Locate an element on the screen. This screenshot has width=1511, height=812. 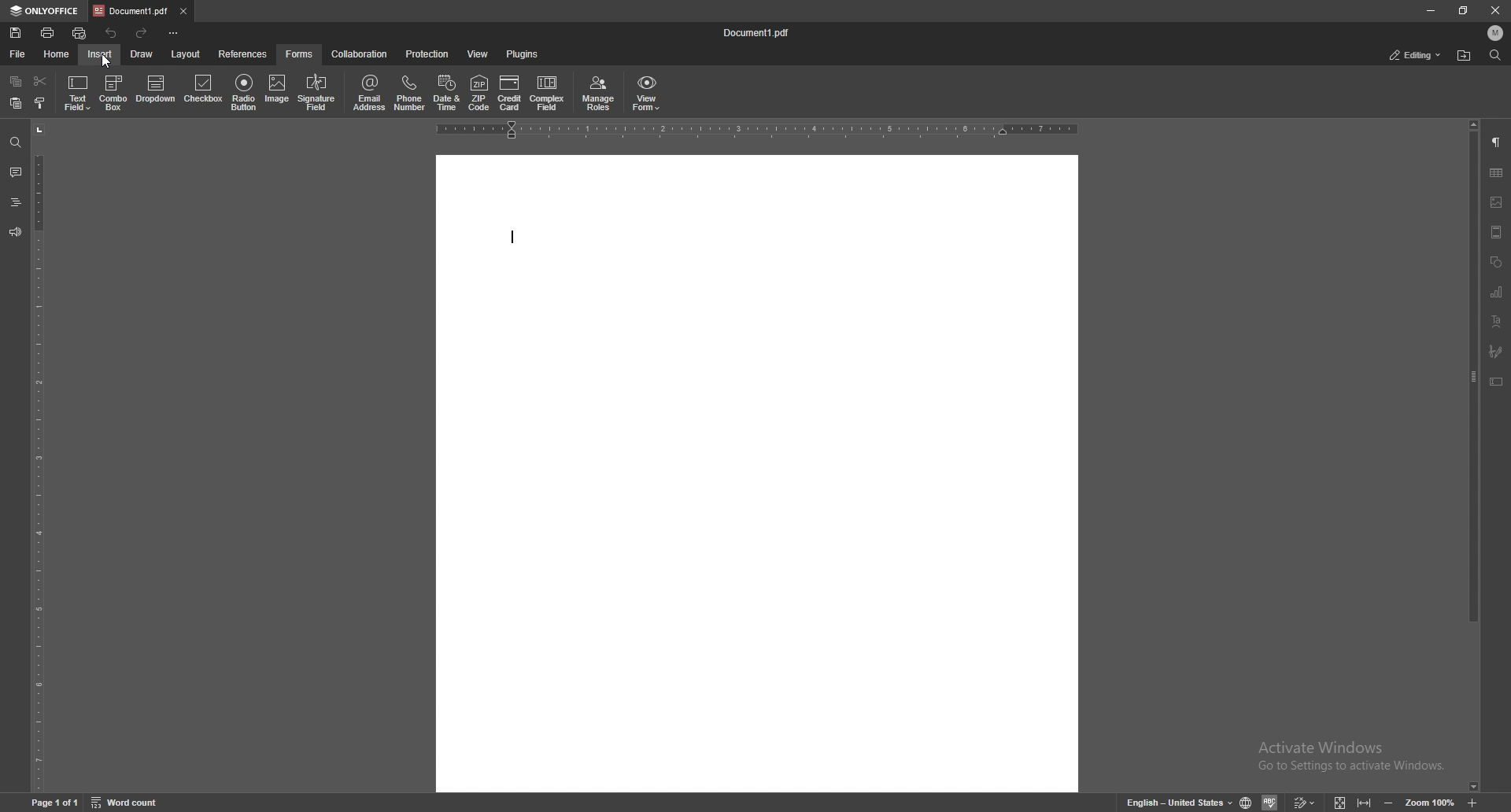
complex field is located at coordinates (549, 93).